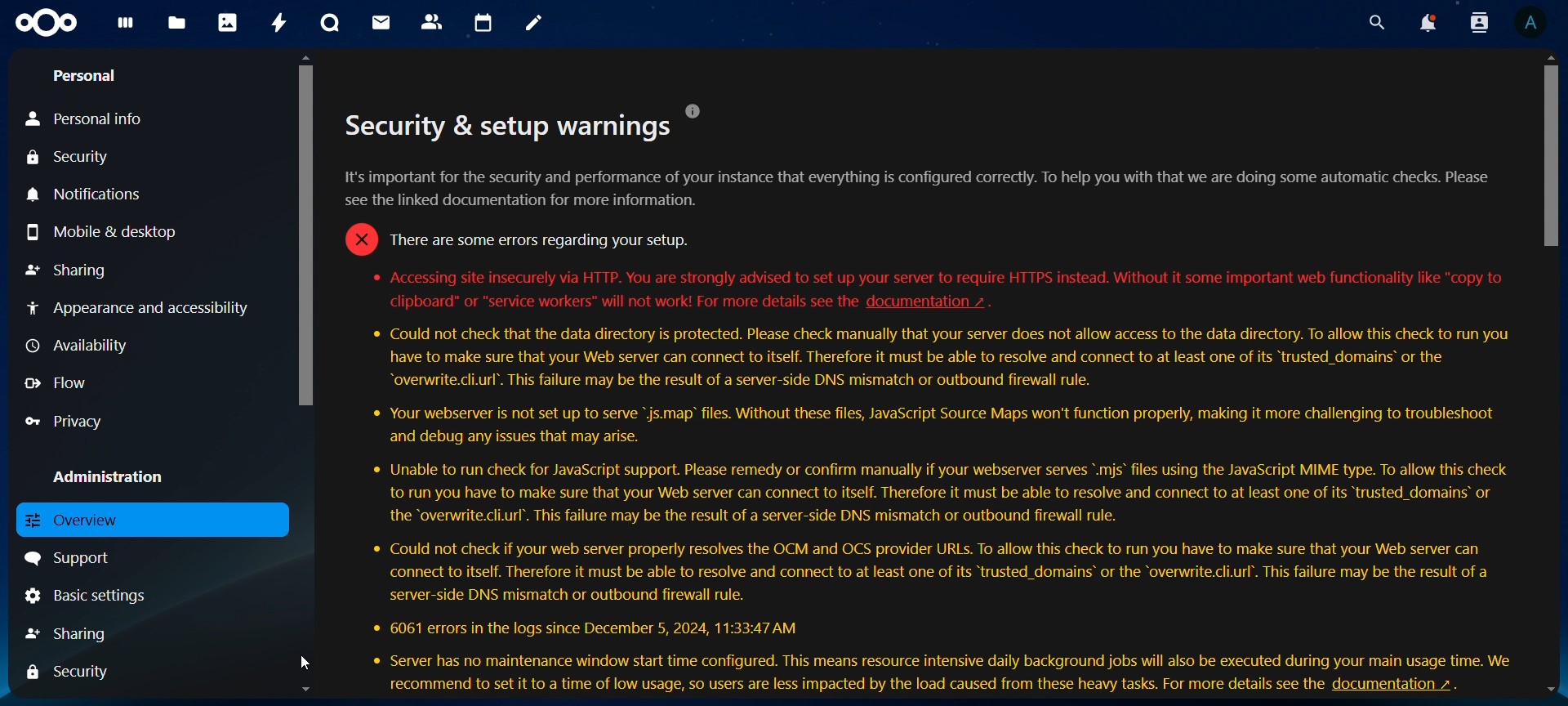  What do you see at coordinates (1402, 686) in the screenshot?
I see `documentation` at bounding box center [1402, 686].